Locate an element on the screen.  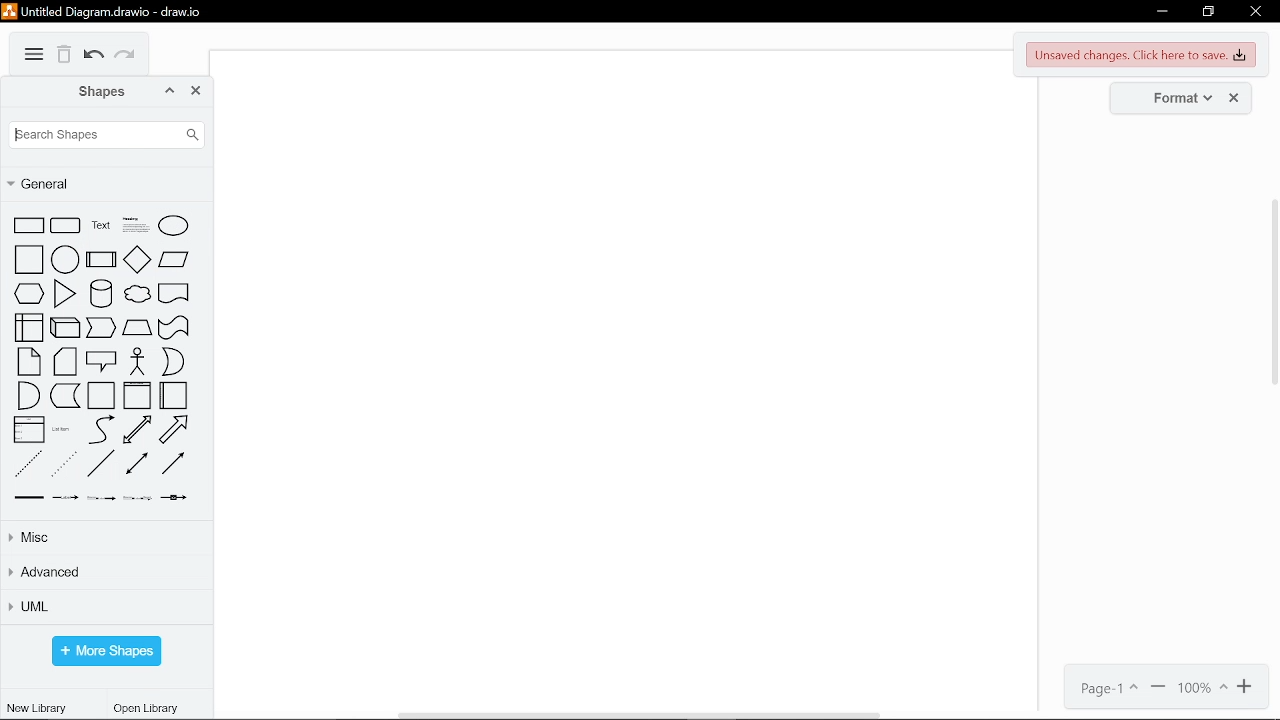
UML is located at coordinates (105, 607).